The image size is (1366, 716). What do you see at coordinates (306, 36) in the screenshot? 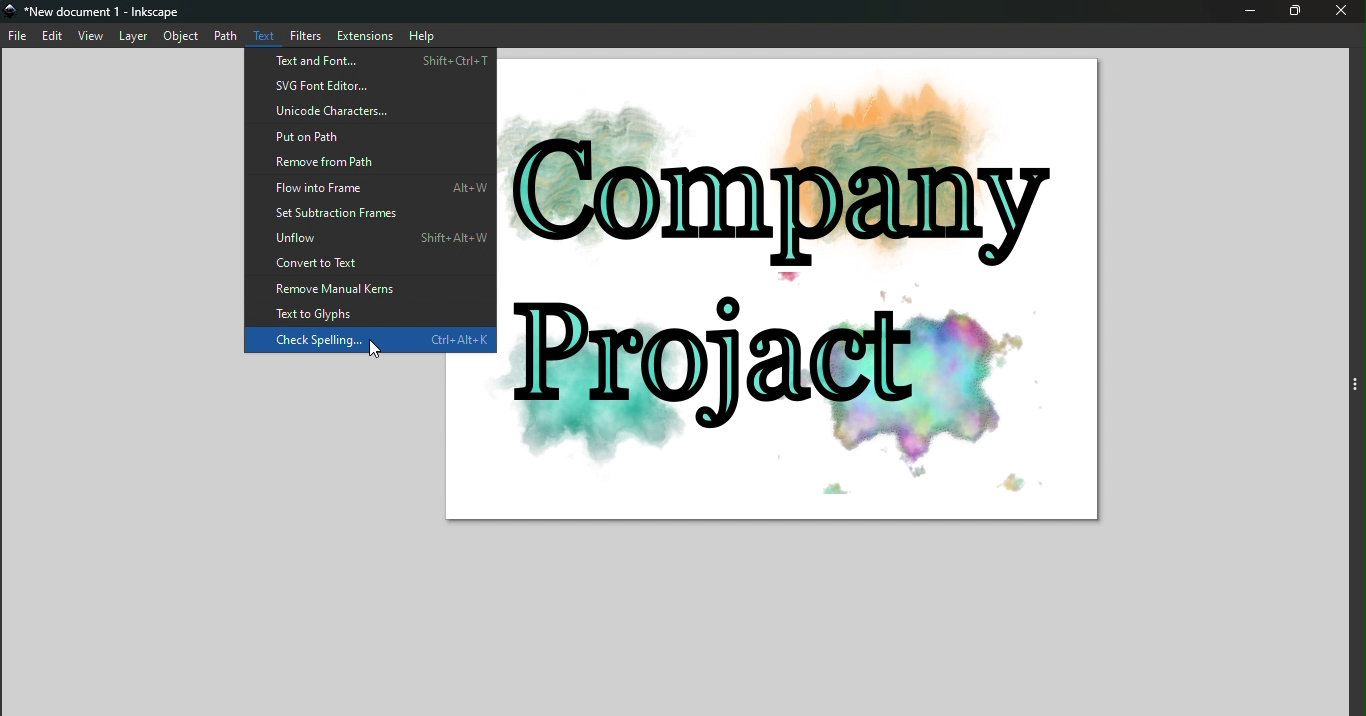
I see `filters` at bounding box center [306, 36].